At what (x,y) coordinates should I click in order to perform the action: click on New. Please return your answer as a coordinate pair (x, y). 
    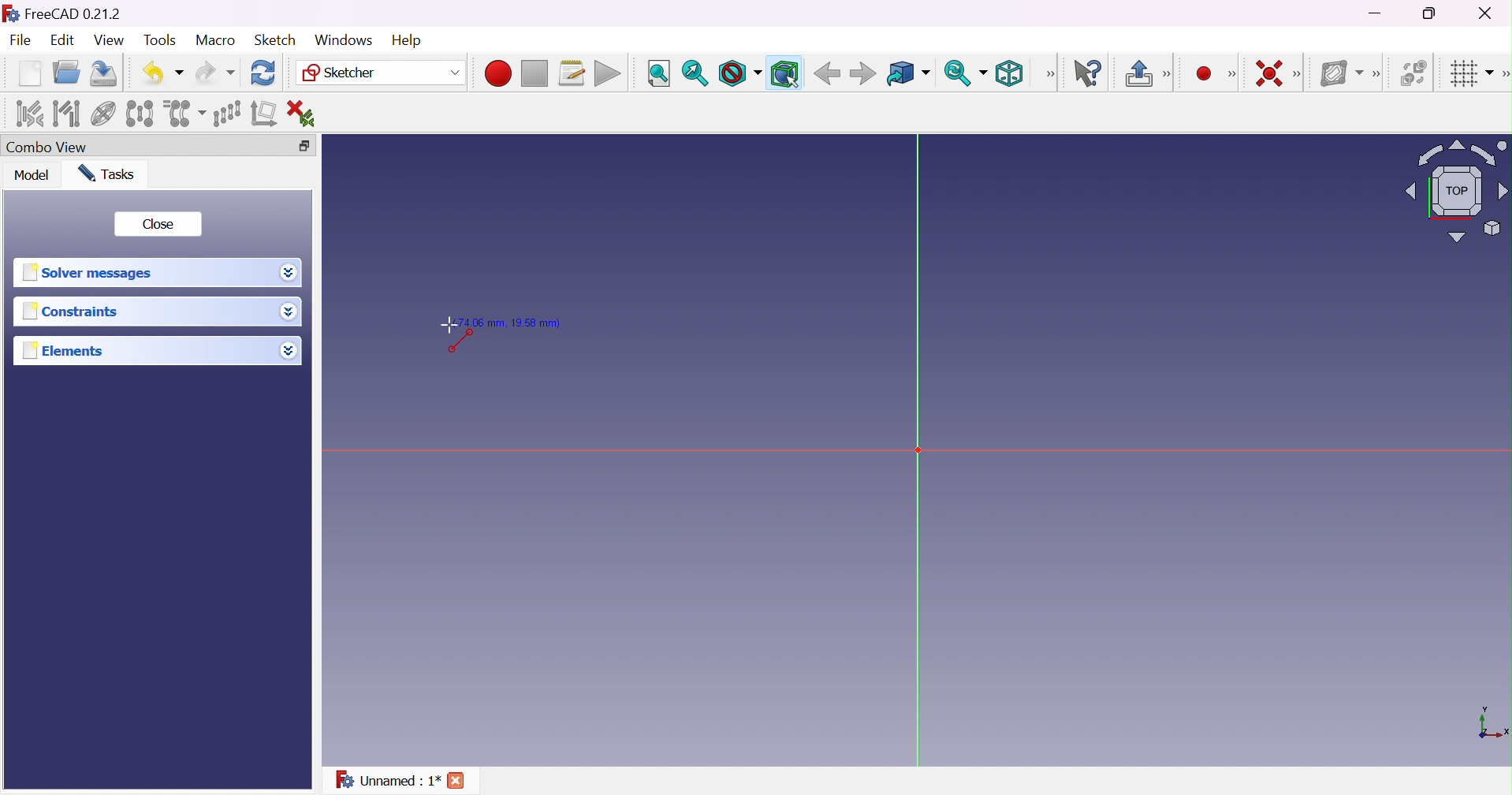
    Looking at the image, I should click on (29, 76).